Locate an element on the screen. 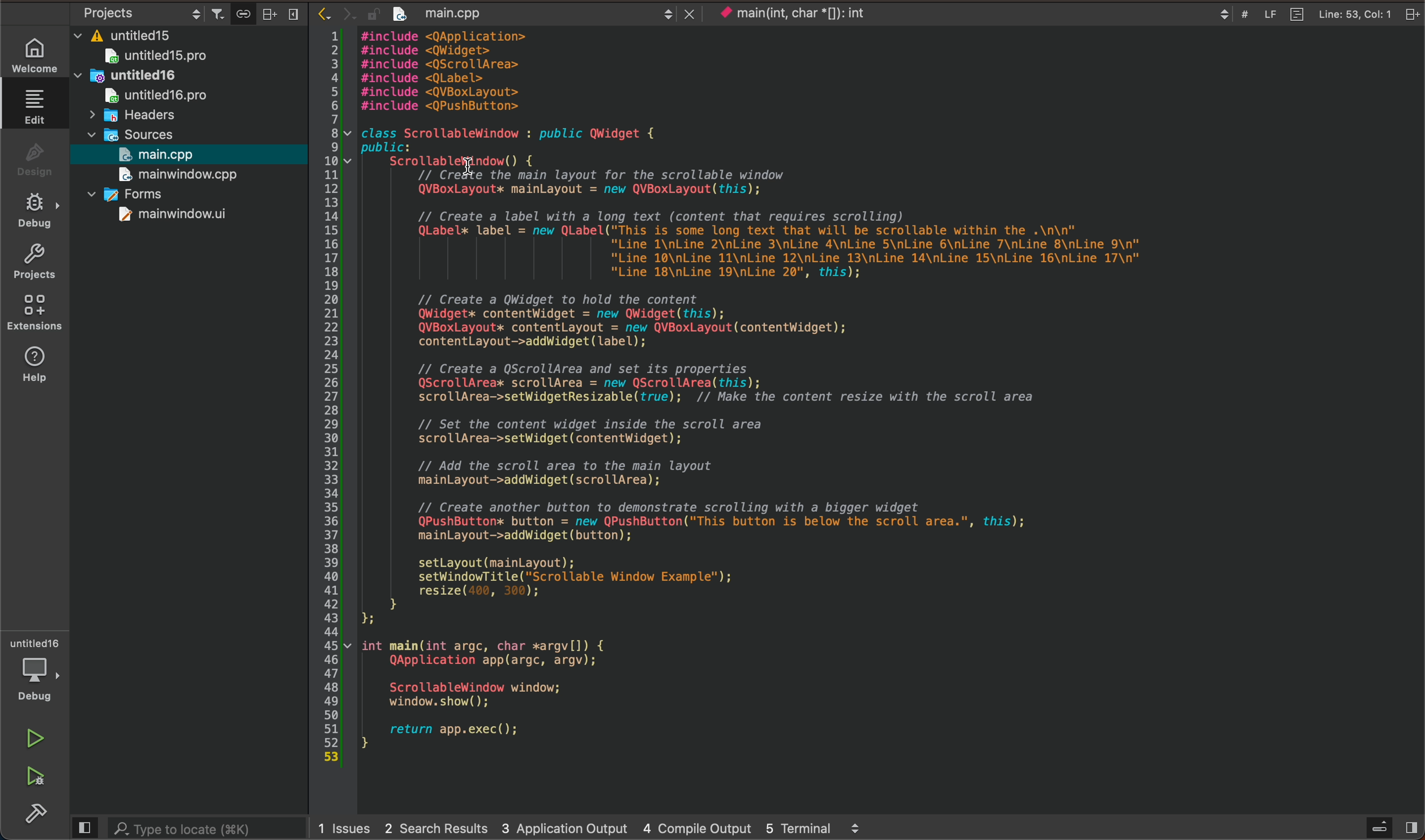  untitled16pro is located at coordinates (159, 95).